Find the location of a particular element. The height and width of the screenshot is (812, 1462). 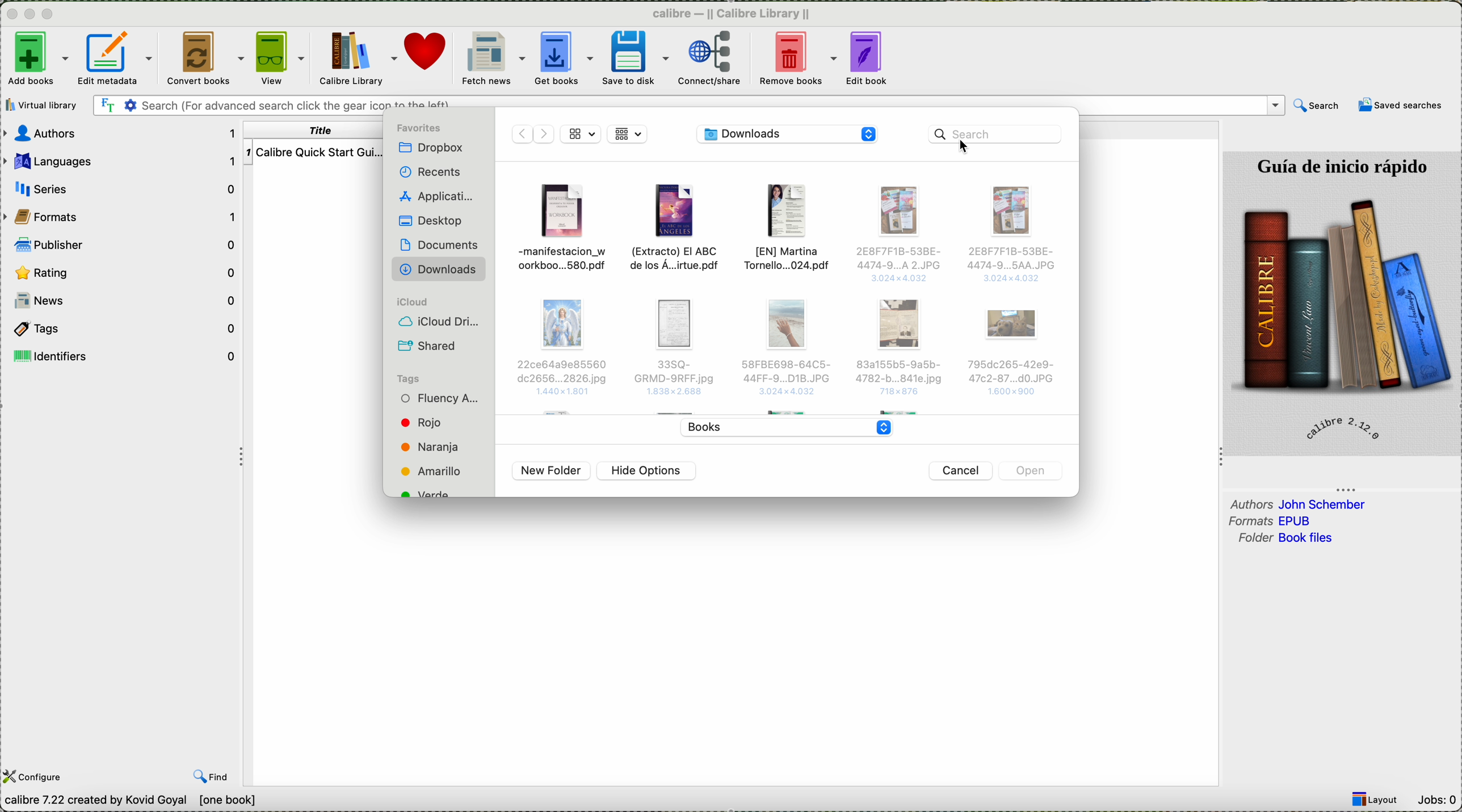

maximize program is located at coordinates (50, 15).